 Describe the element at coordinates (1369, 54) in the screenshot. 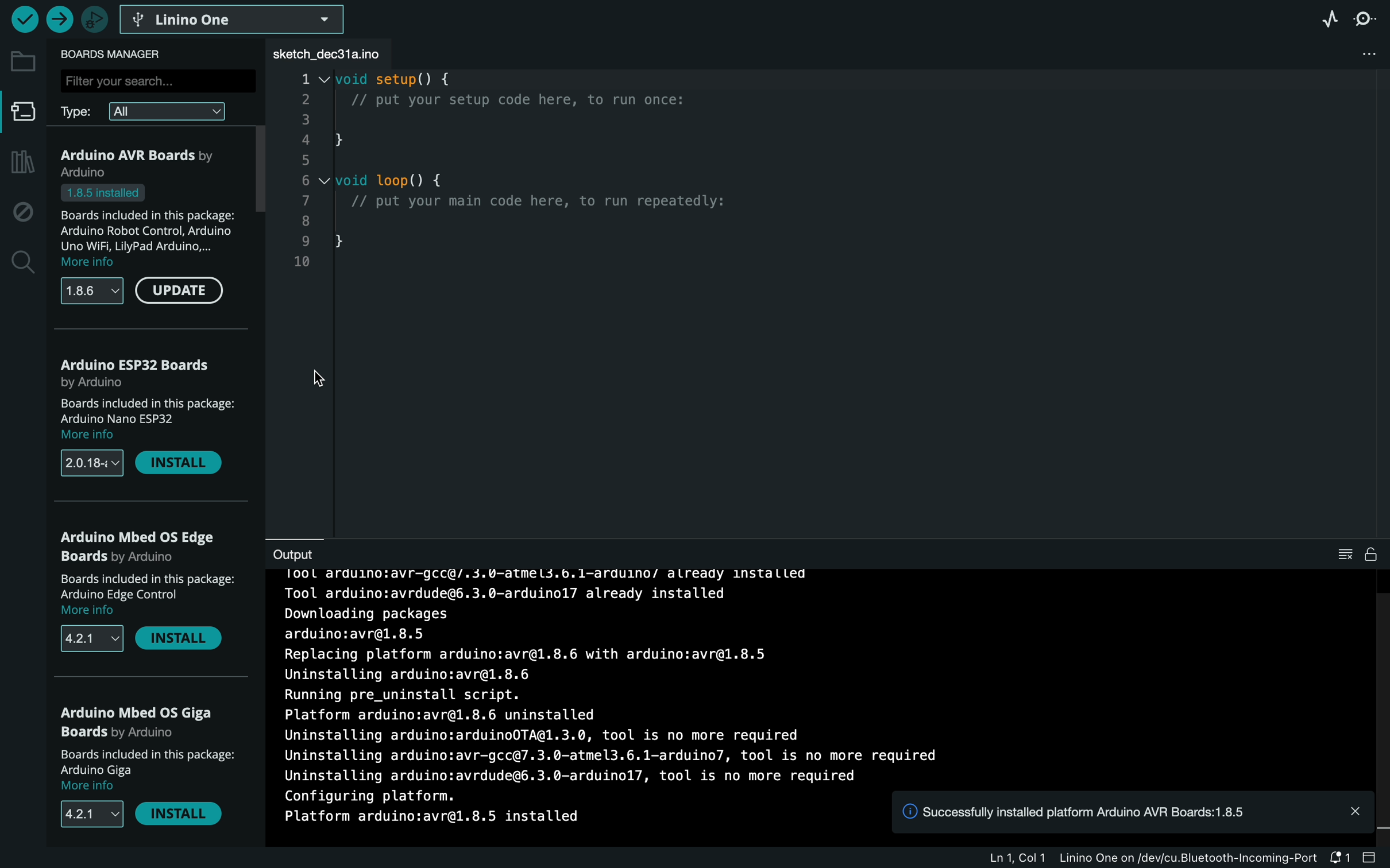

I see `file setting` at that location.